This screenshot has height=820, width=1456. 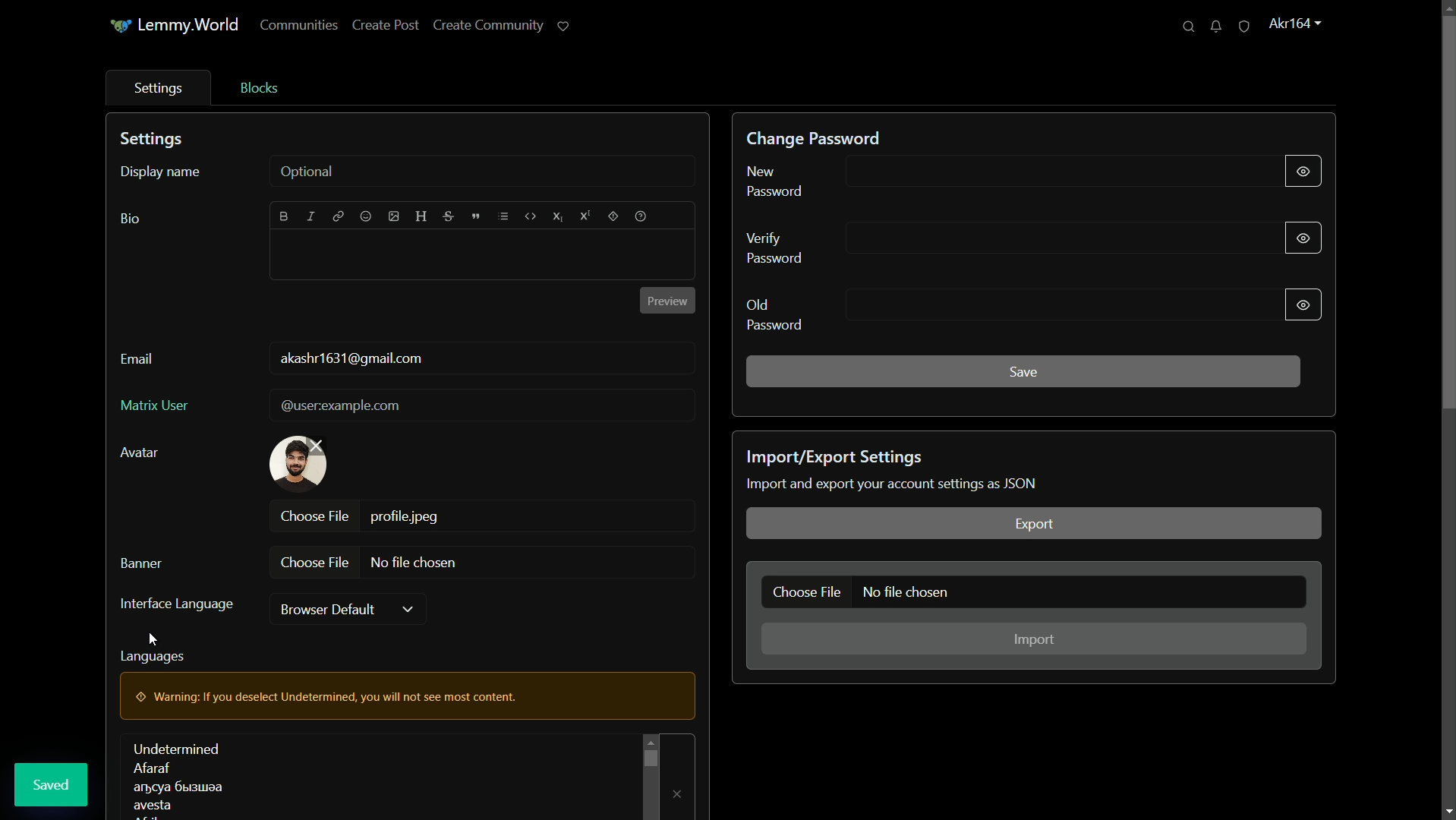 I want to click on interface language, so click(x=175, y=605).